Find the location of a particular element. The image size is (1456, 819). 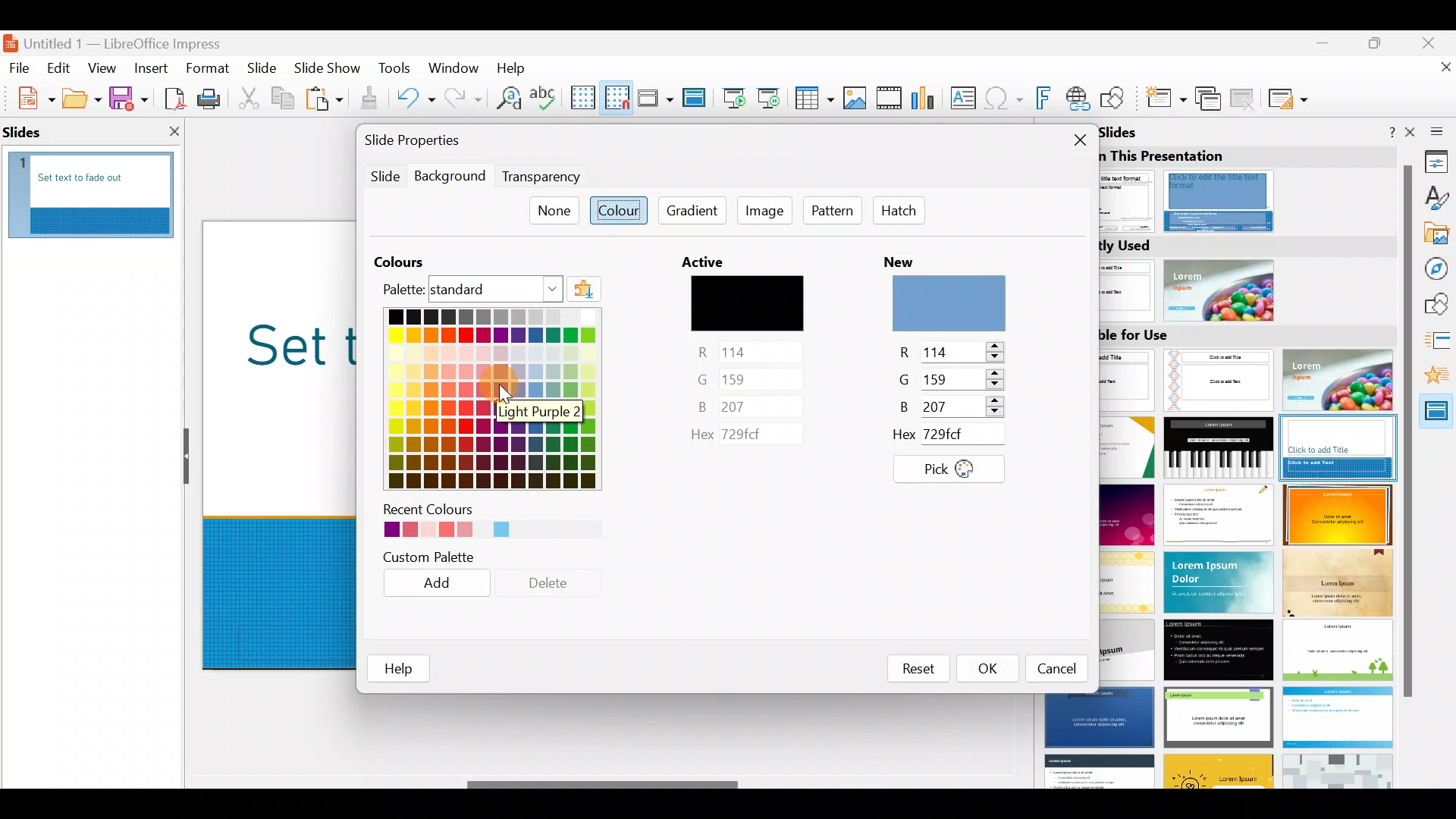

slide is located at coordinates (29, 133).